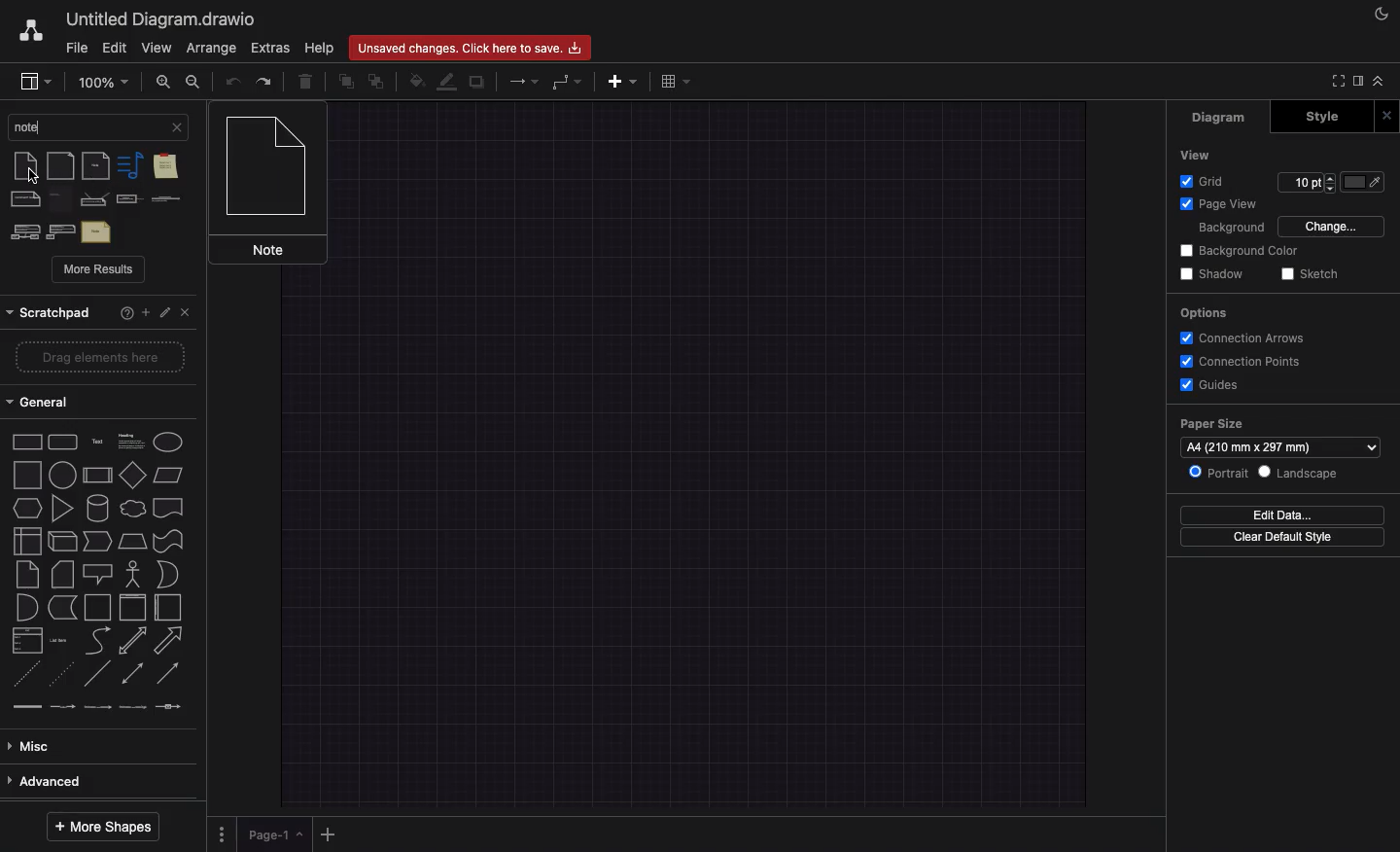  Describe the element at coordinates (25, 576) in the screenshot. I see `note` at that location.